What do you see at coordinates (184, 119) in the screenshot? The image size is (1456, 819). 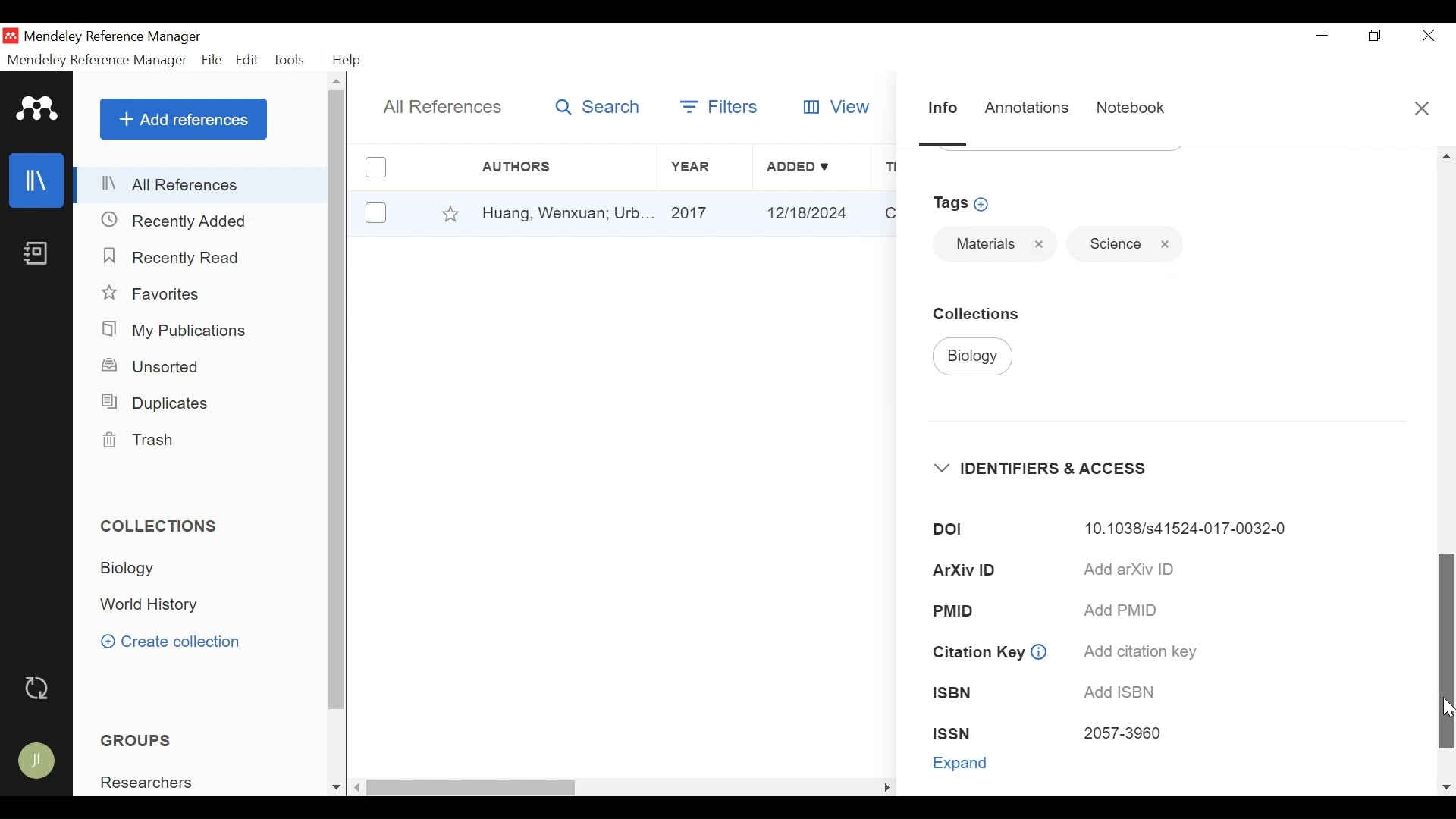 I see `Add References` at bounding box center [184, 119].